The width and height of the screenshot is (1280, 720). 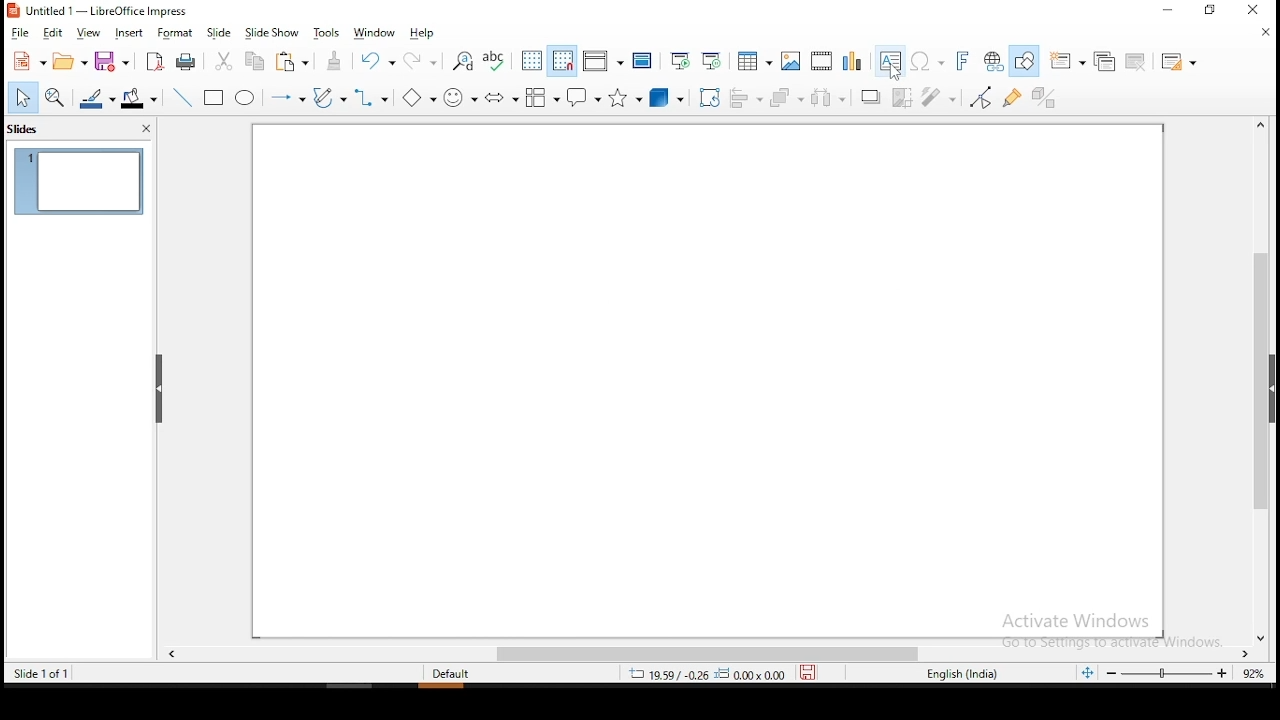 What do you see at coordinates (1025, 61) in the screenshot?
I see `show draw functions` at bounding box center [1025, 61].